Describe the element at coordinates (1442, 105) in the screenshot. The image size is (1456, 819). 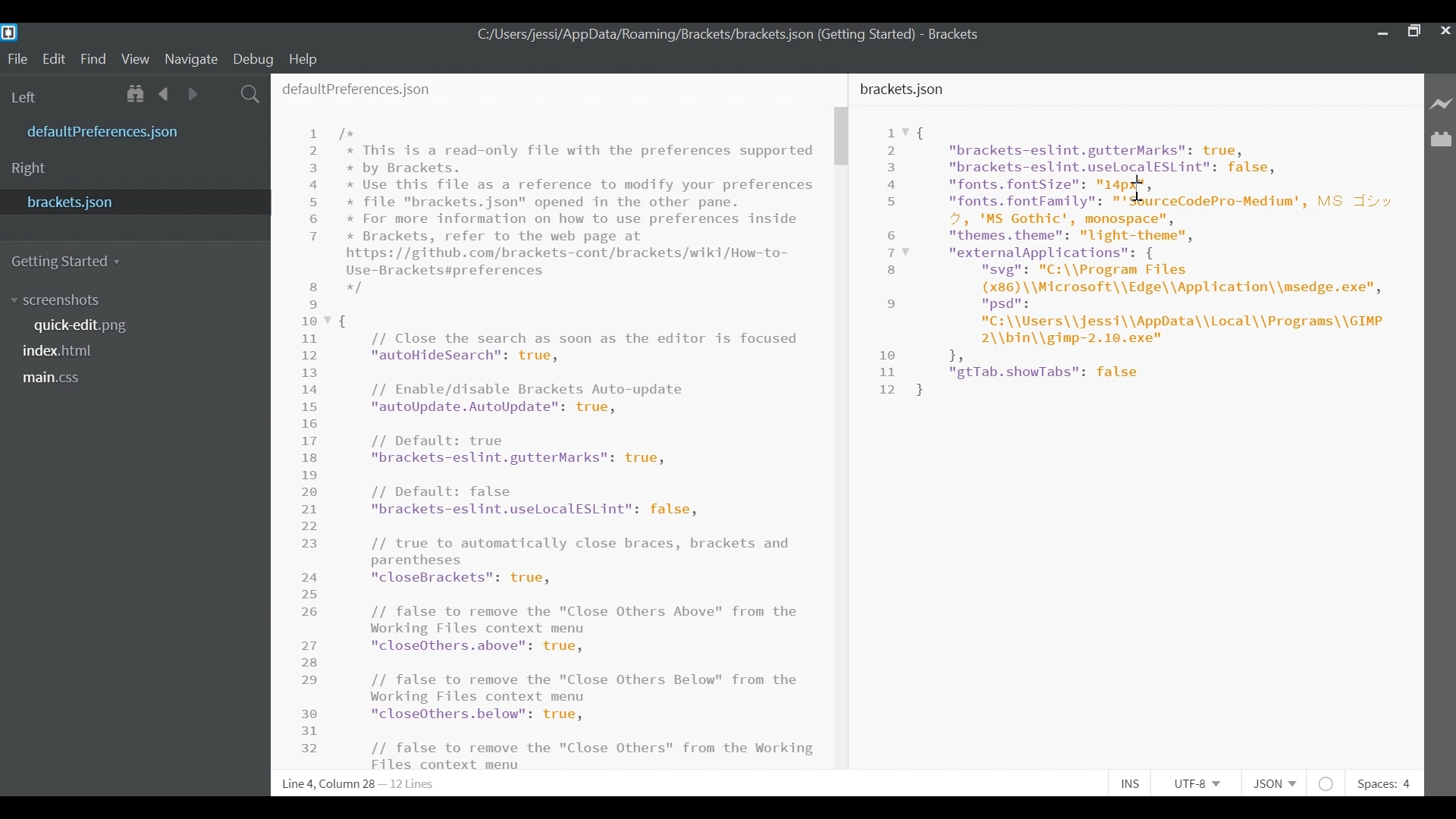
I see `Live Preview` at that location.